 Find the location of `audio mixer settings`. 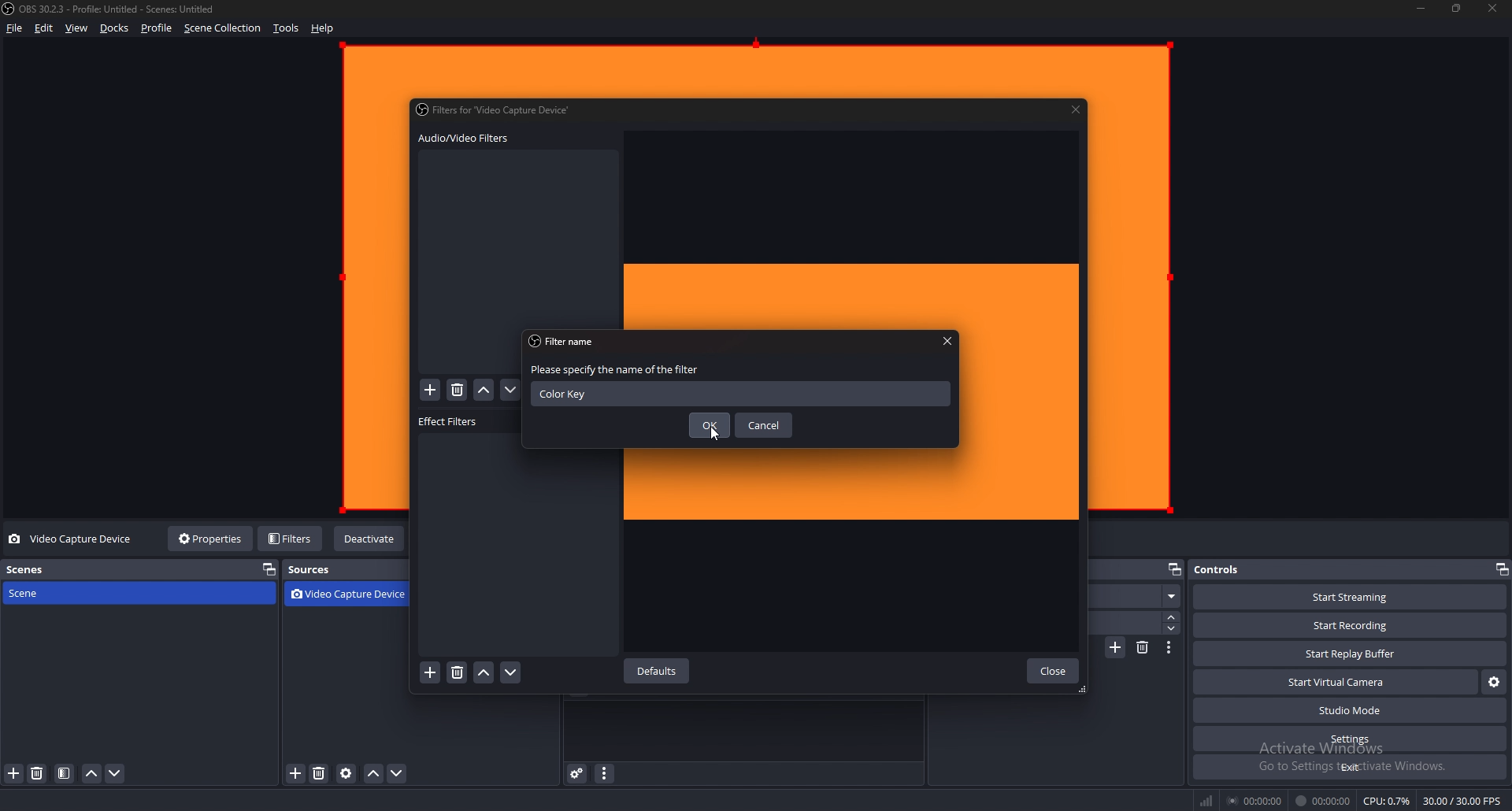

audio mixer settings is located at coordinates (578, 773).